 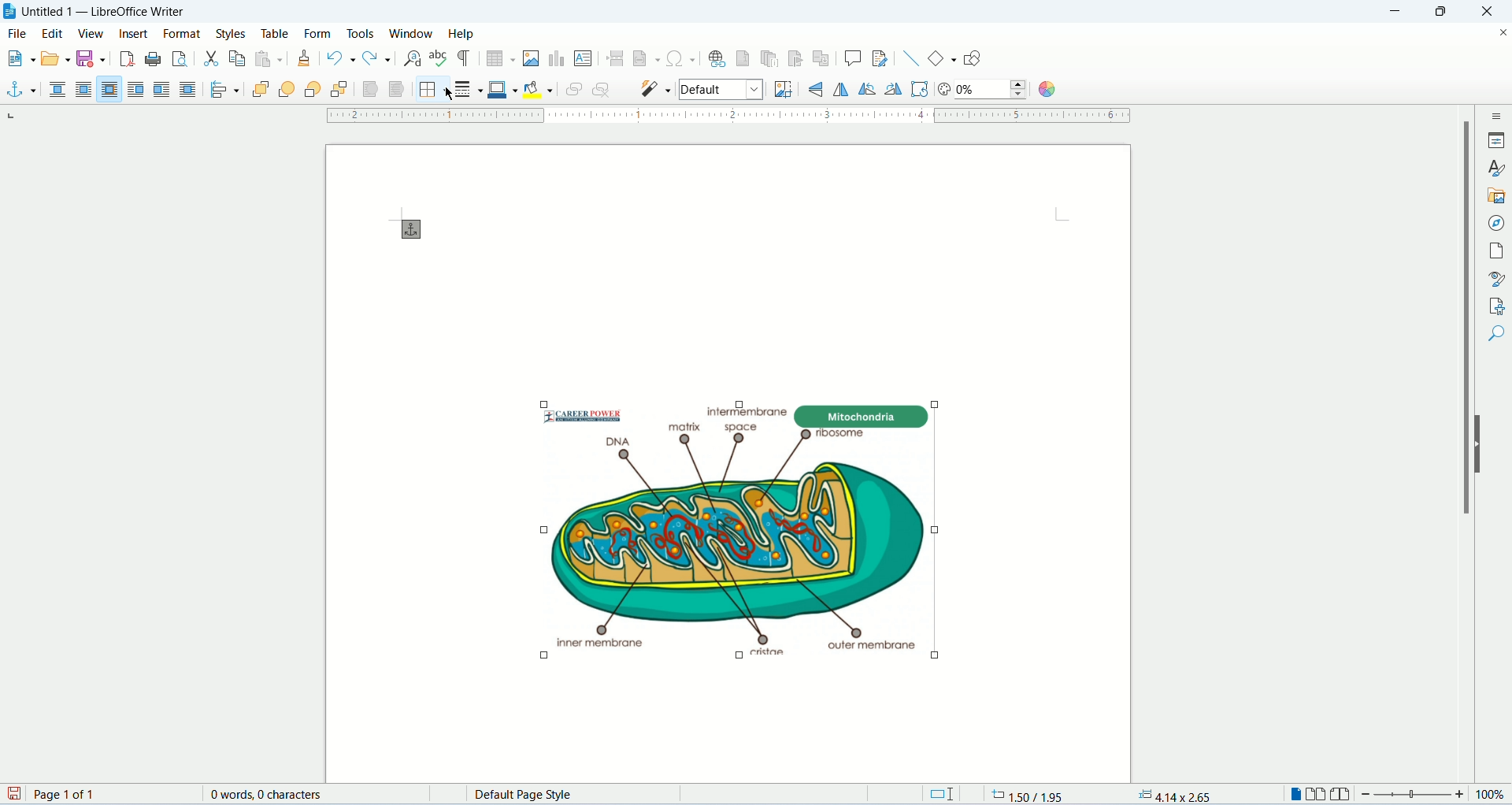 What do you see at coordinates (55, 57) in the screenshot?
I see `open` at bounding box center [55, 57].